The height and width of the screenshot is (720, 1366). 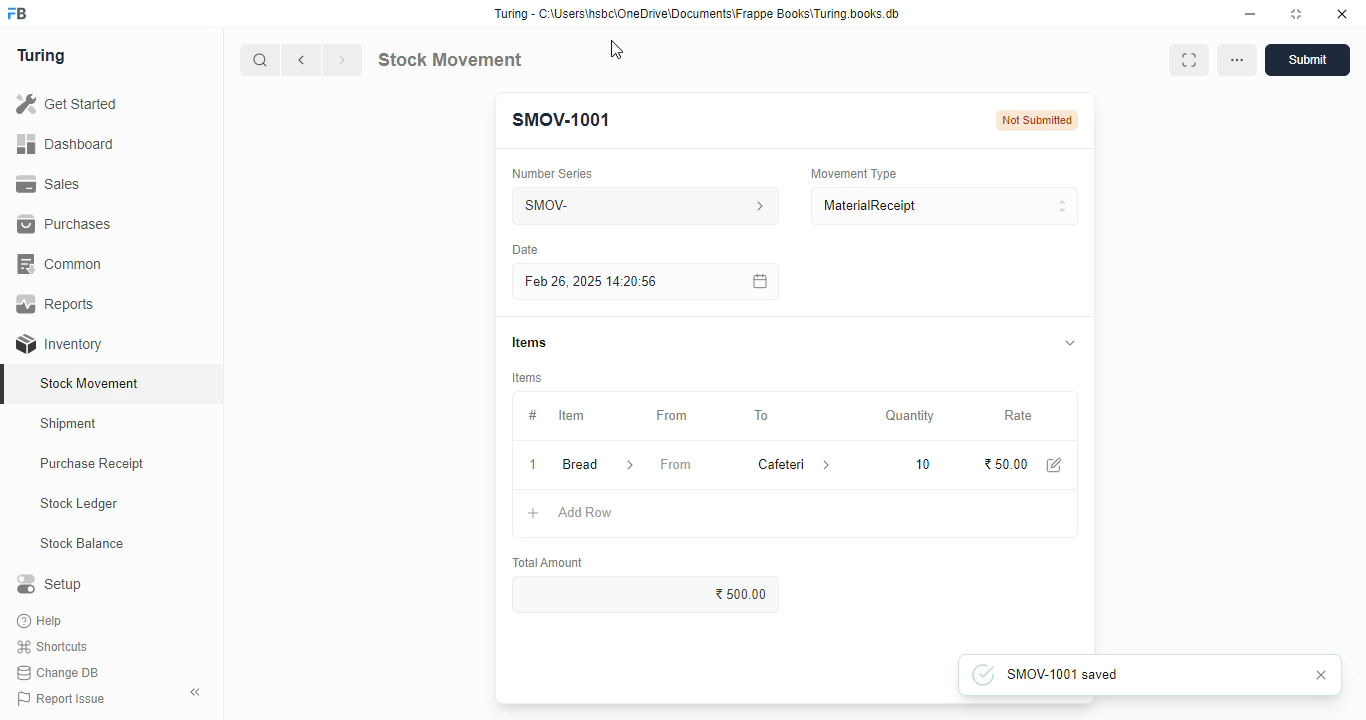 I want to click on edit, so click(x=1055, y=465).